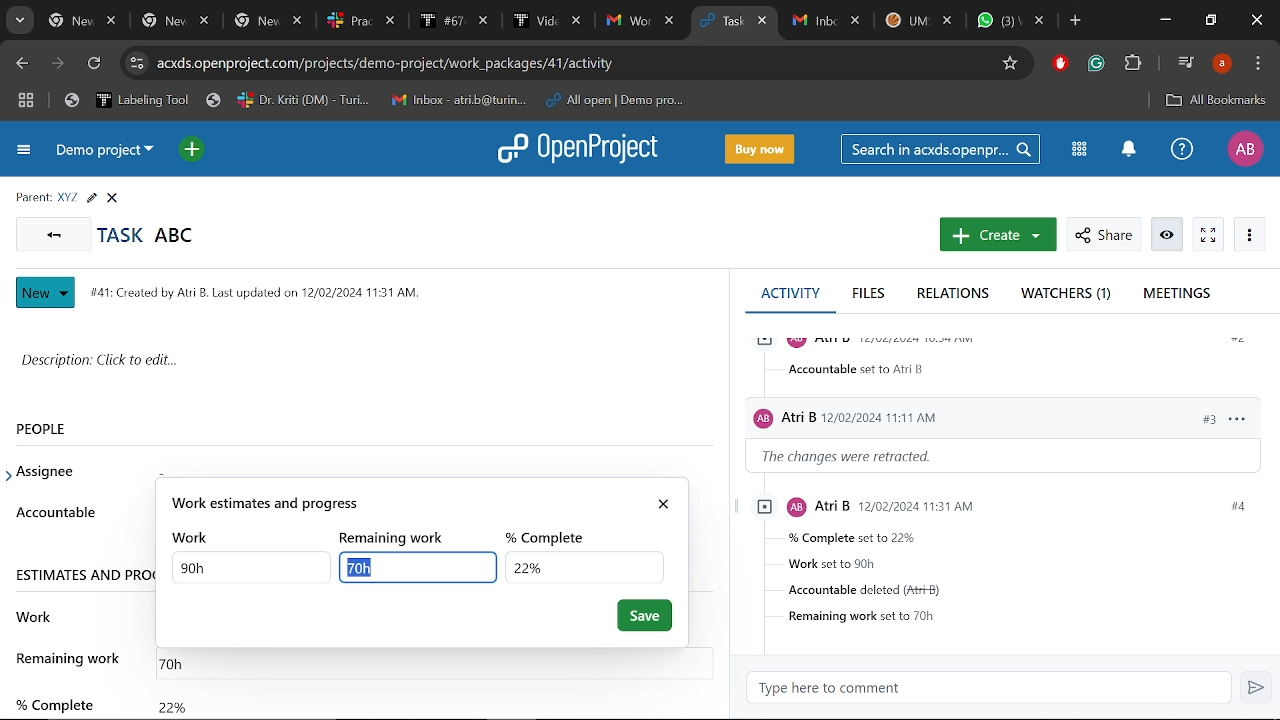  I want to click on Nwe, so click(46, 293).